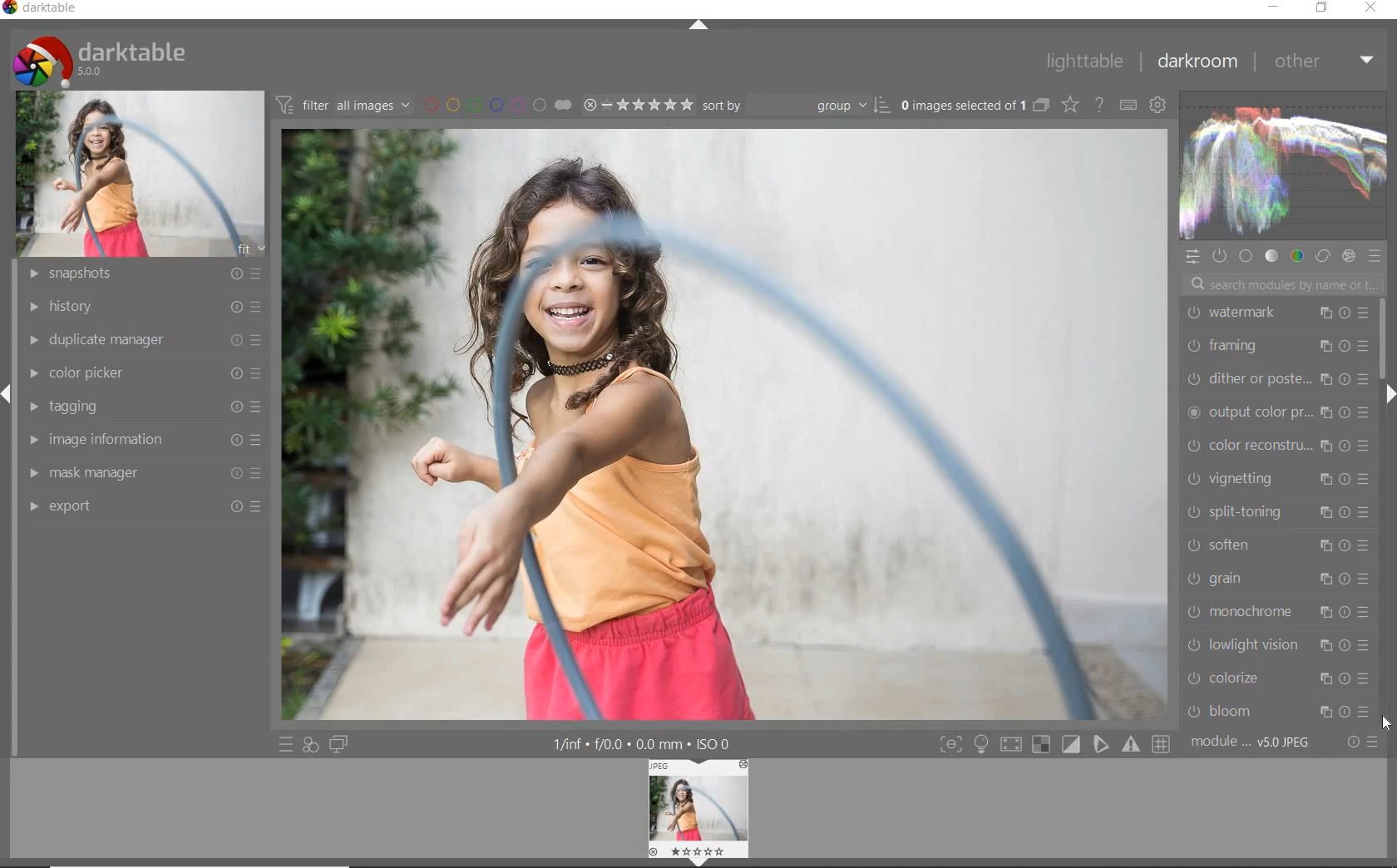 Image resolution: width=1397 pixels, height=868 pixels. I want to click on filter by image color label, so click(496, 104).